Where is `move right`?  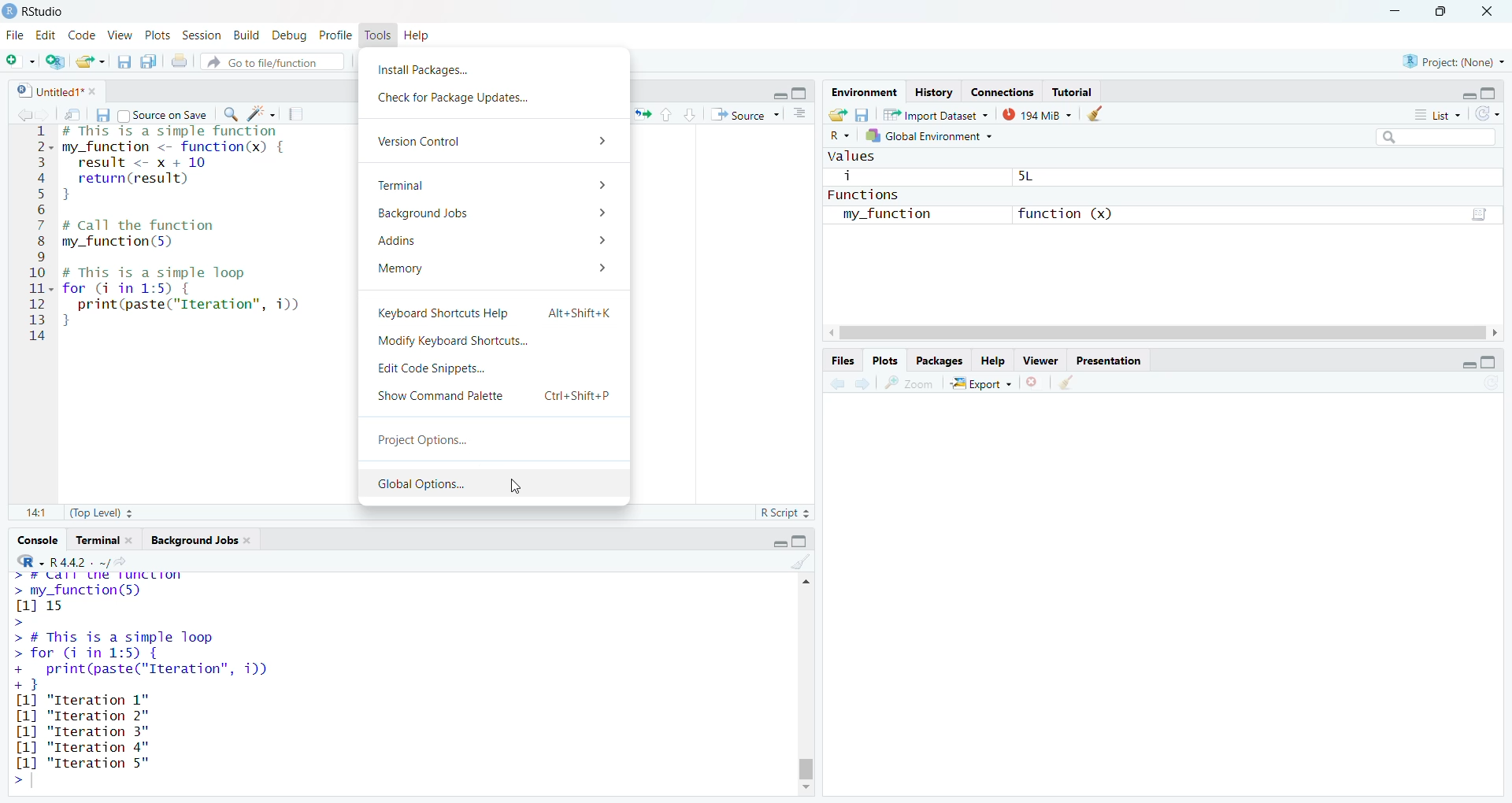
move right is located at coordinates (1501, 333).